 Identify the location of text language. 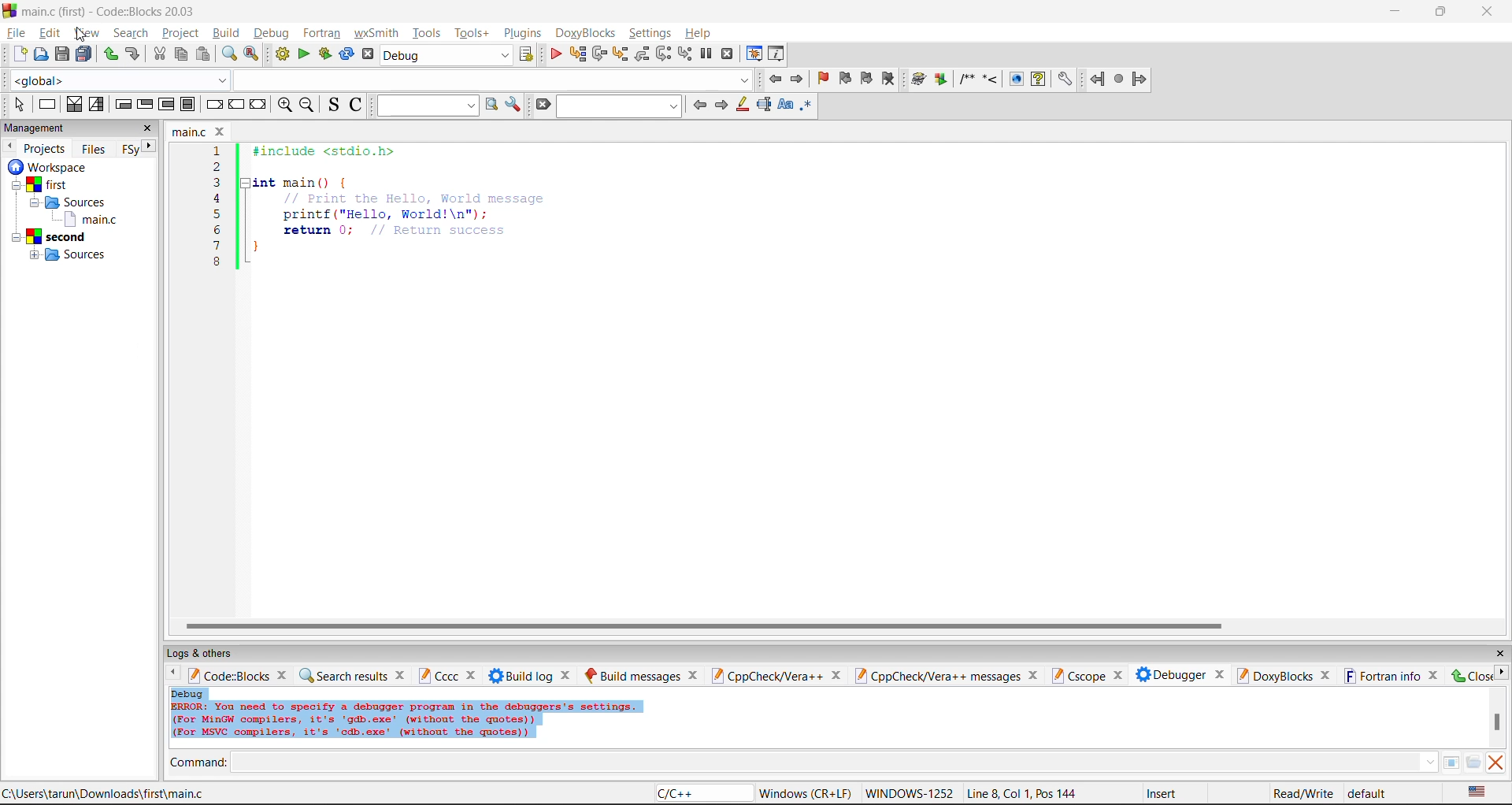
(1477, 793).